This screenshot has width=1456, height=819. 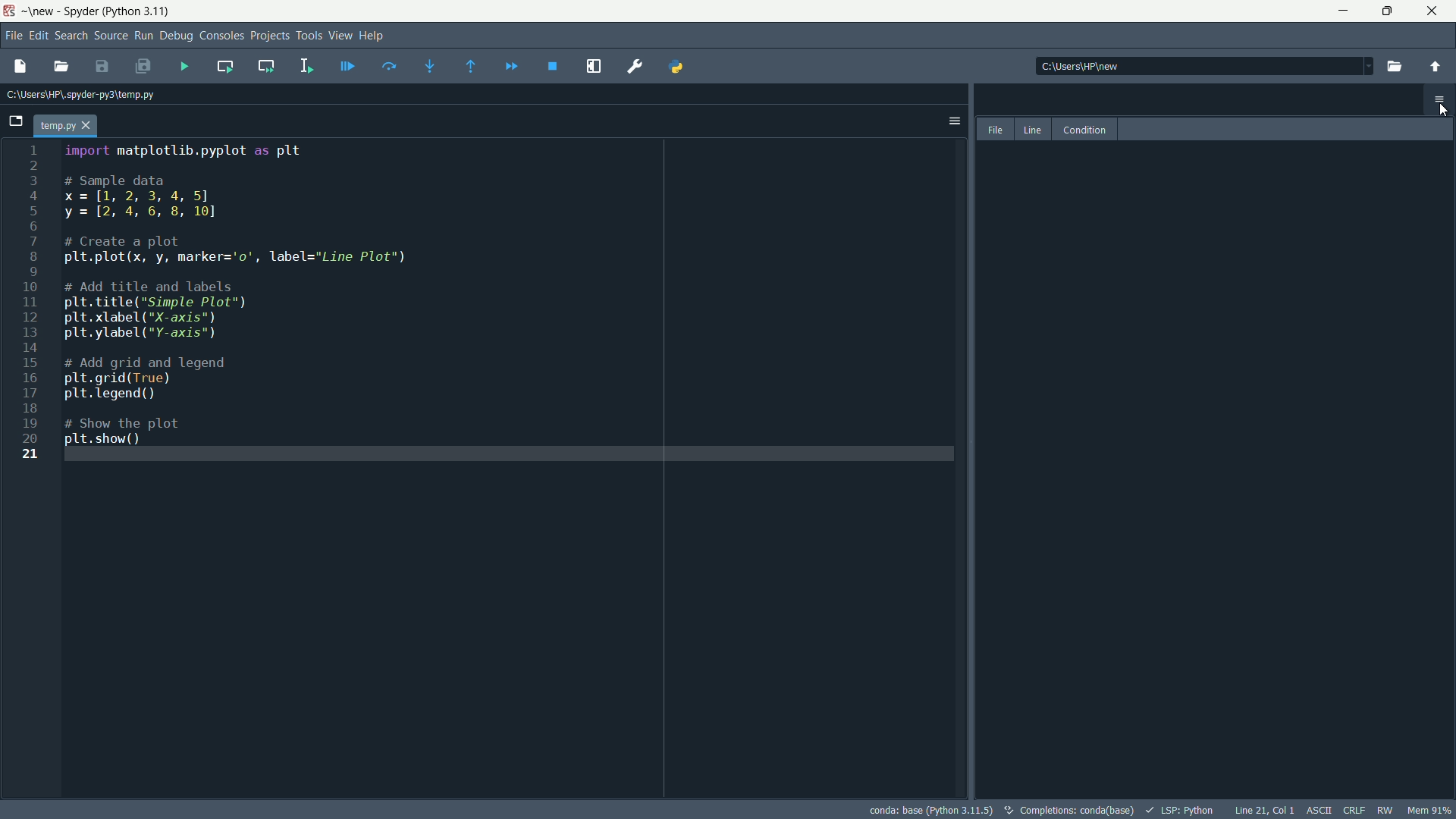 What do you see at coordinates (109, 36) in the screenshot?
I see `source menu` at bounding box center [109, 36].